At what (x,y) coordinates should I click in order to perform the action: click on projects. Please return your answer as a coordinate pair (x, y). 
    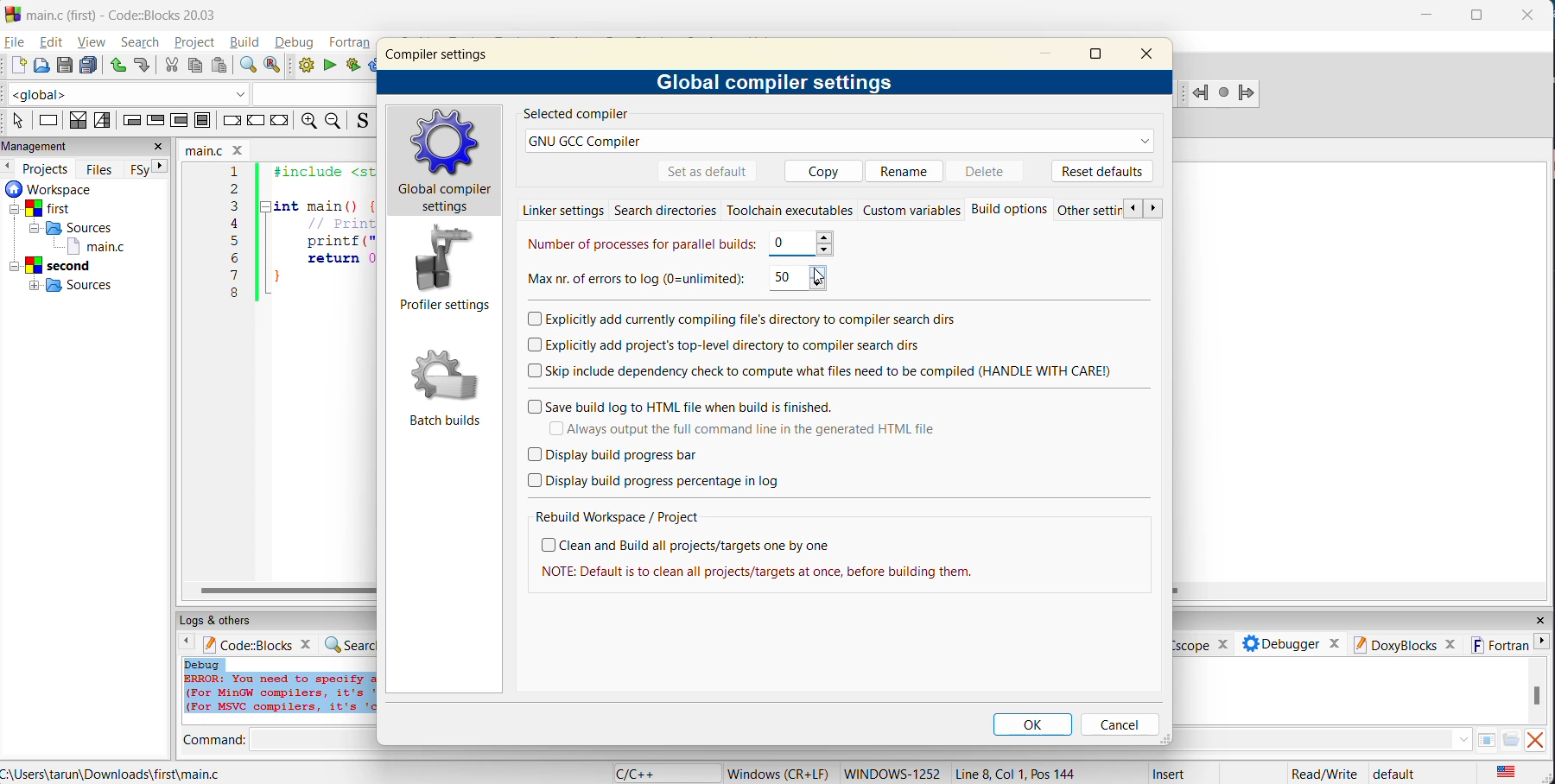
    Looking at the image, I should click on (46, 168).